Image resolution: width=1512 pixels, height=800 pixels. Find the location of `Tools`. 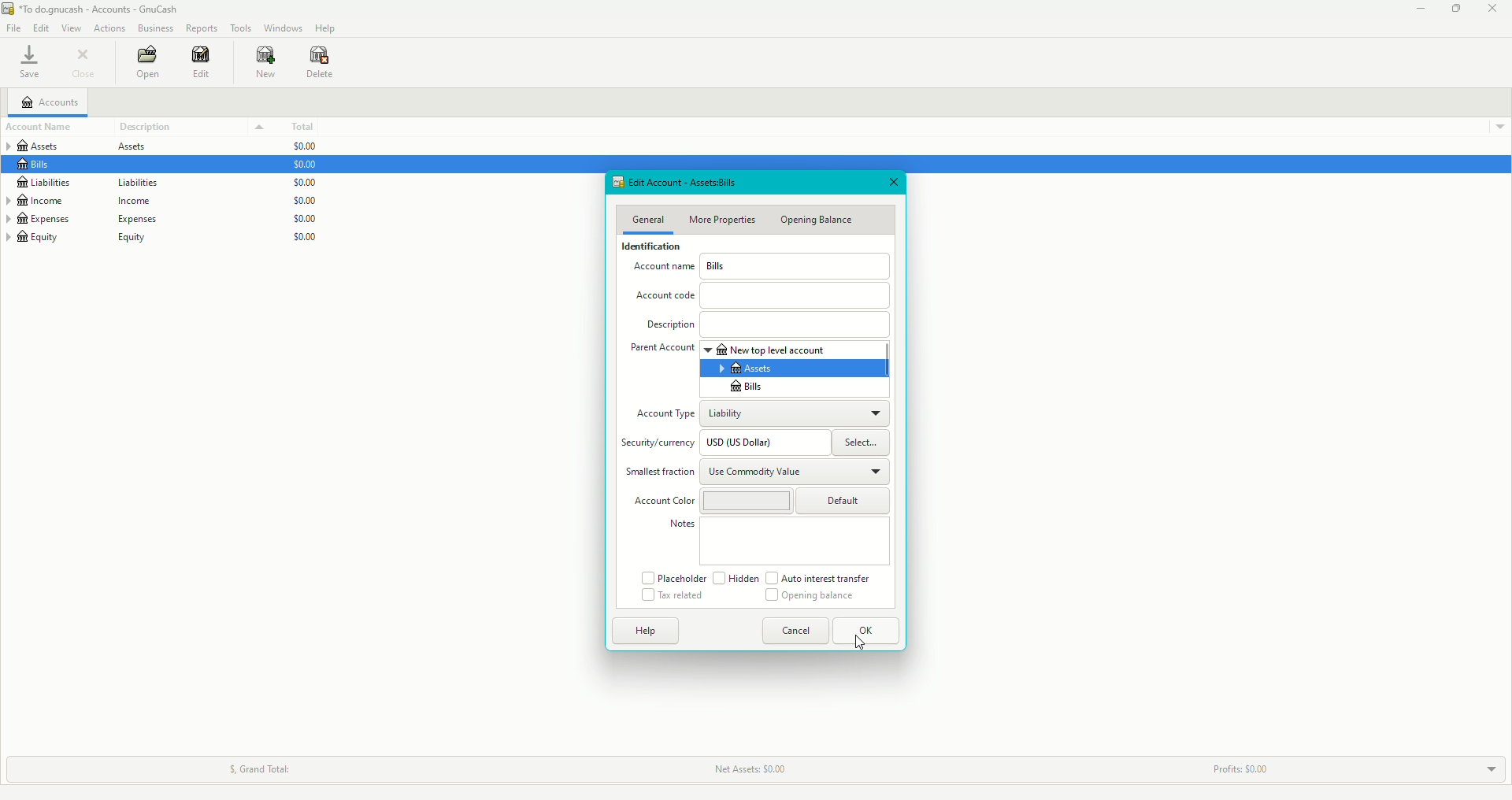

Tools is located at coordinates (243, 28).